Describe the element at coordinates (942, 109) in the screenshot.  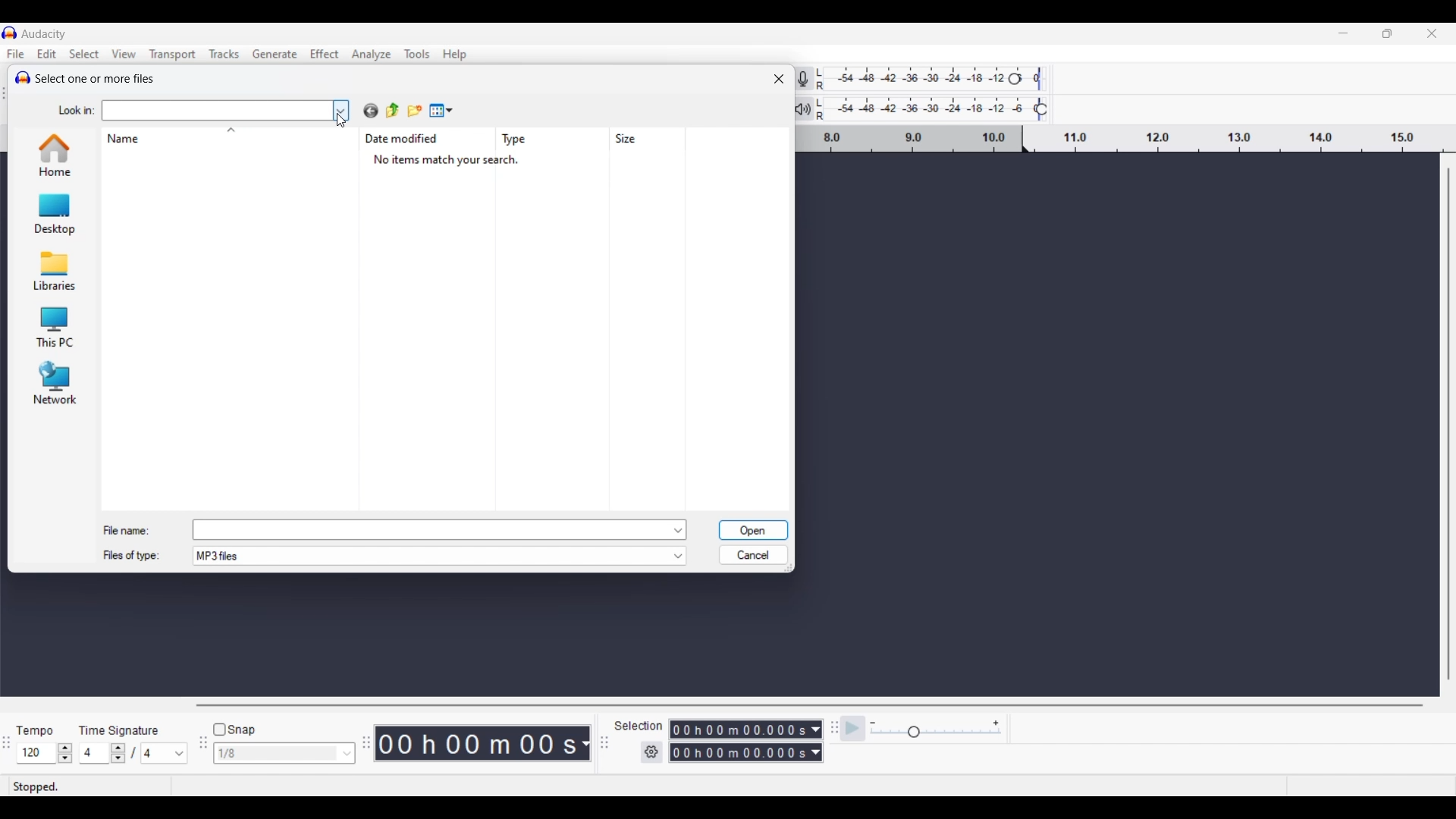
I see `Playback level` at that location.